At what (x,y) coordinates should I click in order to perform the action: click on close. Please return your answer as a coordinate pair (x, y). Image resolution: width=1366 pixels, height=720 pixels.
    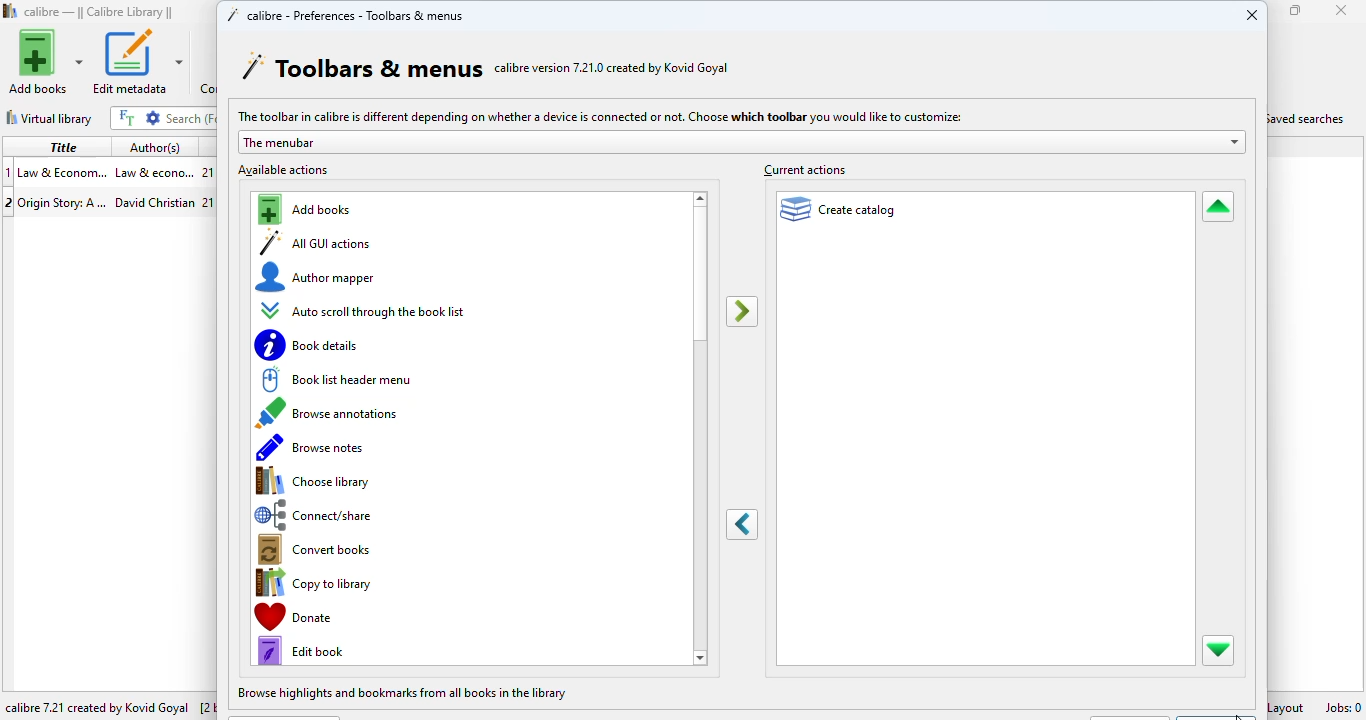
    Looking at the image, I should click on (1341, 10).